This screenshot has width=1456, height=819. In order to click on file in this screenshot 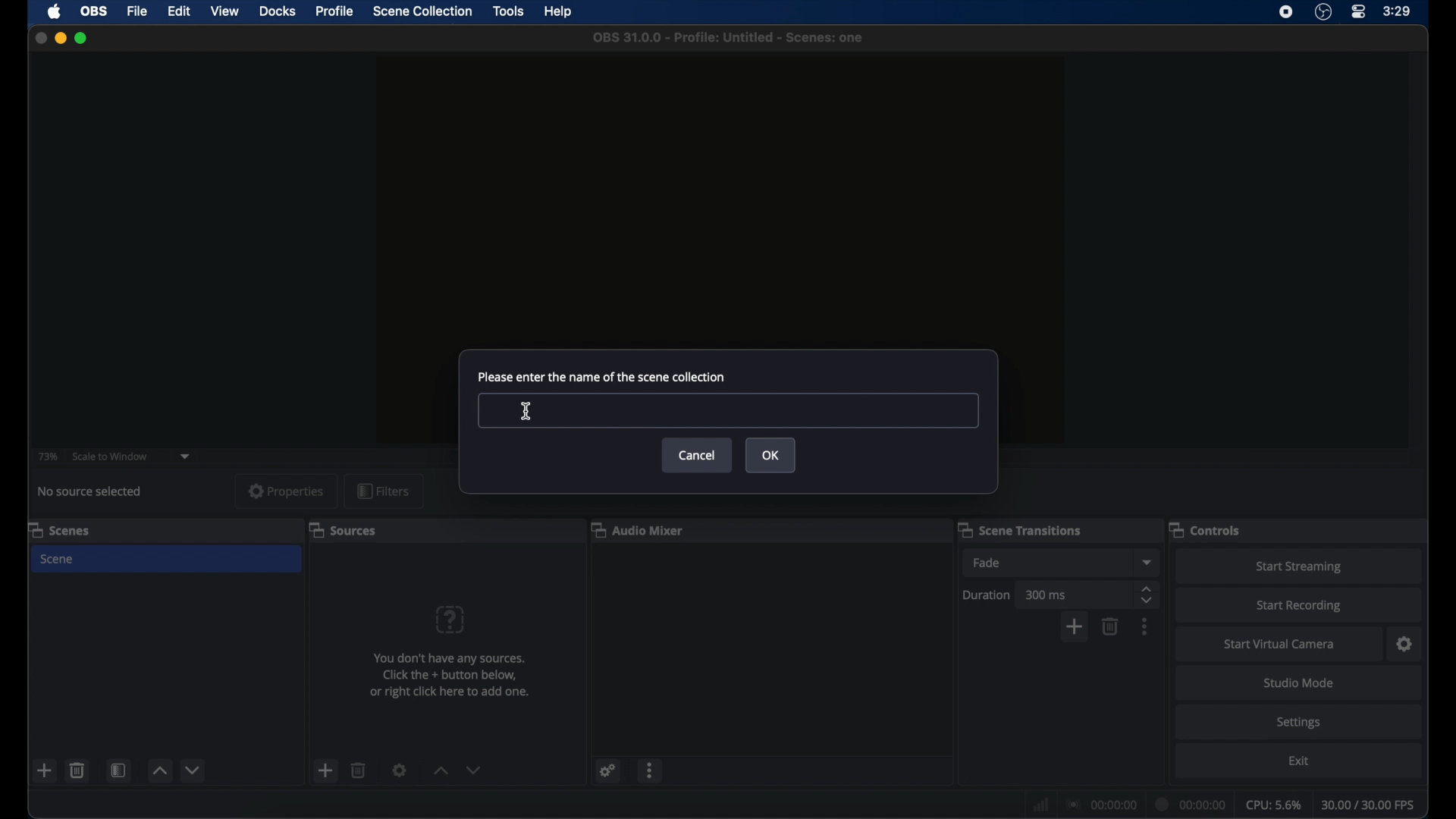, I will do `click(136, 11)`.